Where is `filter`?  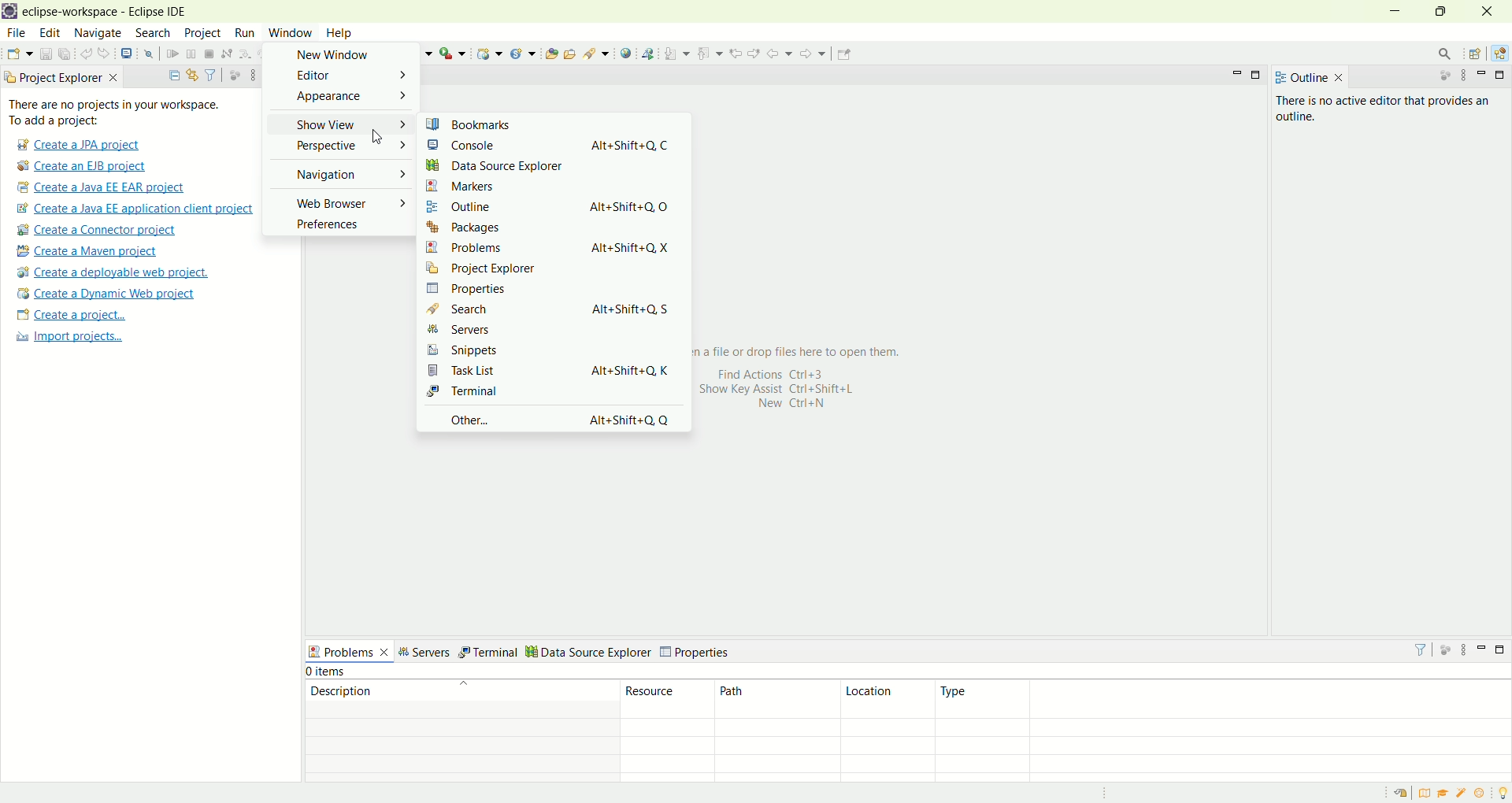 filter is located at coordinates (211, 74).